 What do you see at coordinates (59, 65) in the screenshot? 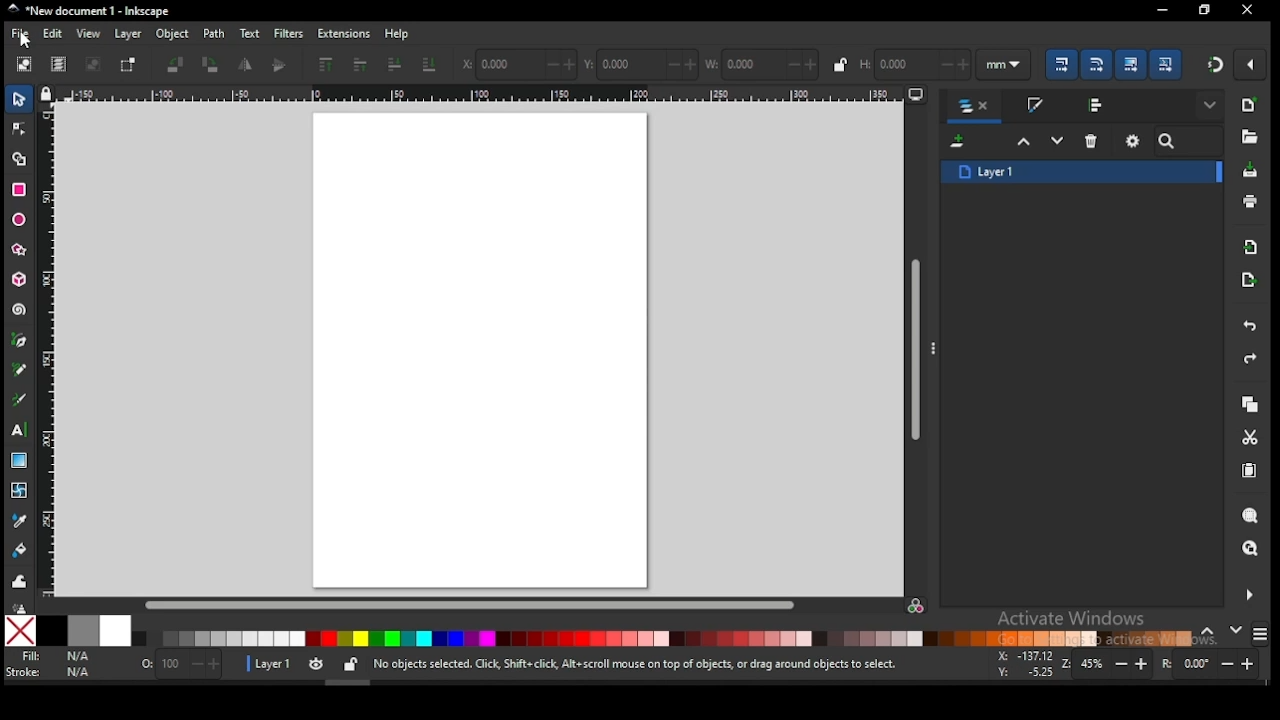
I see `select all in all layers` at bounding box center [59, 65].